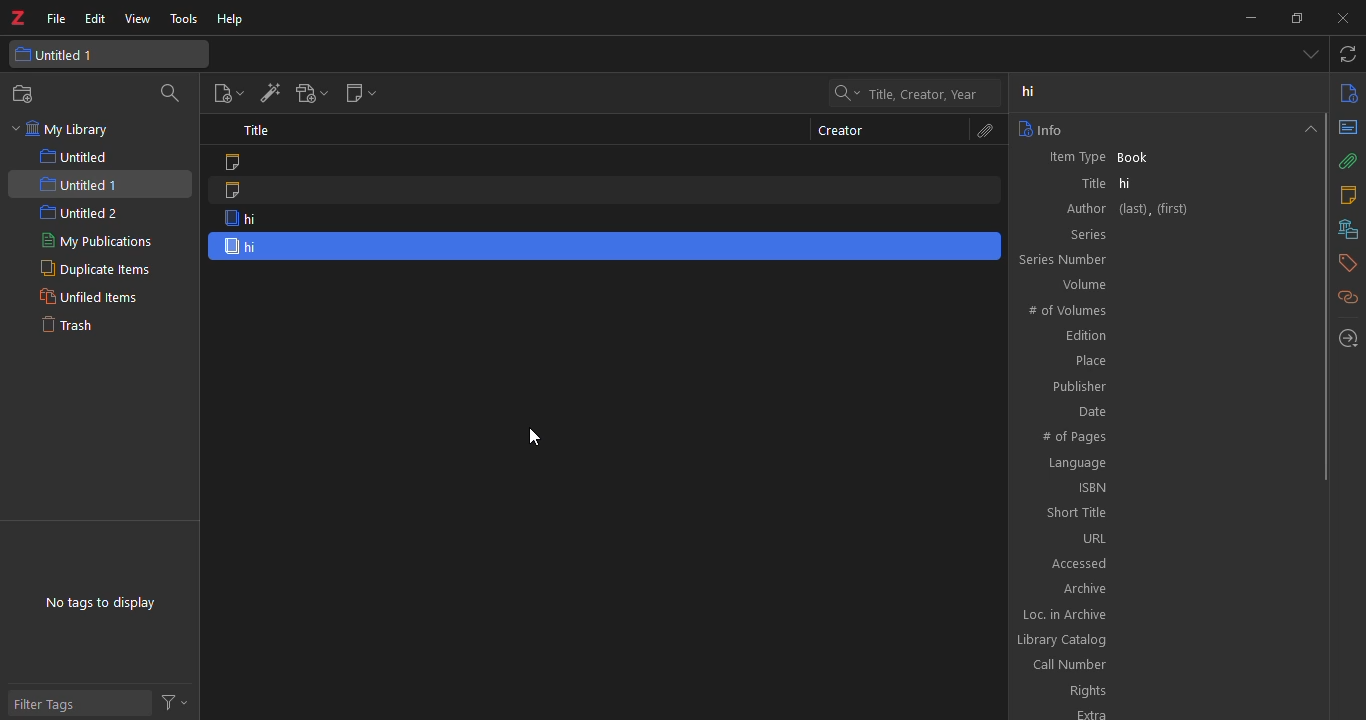 The width and height of the screenshot is (1366, 720). I want to click on duplicate items, so click(93, 269).